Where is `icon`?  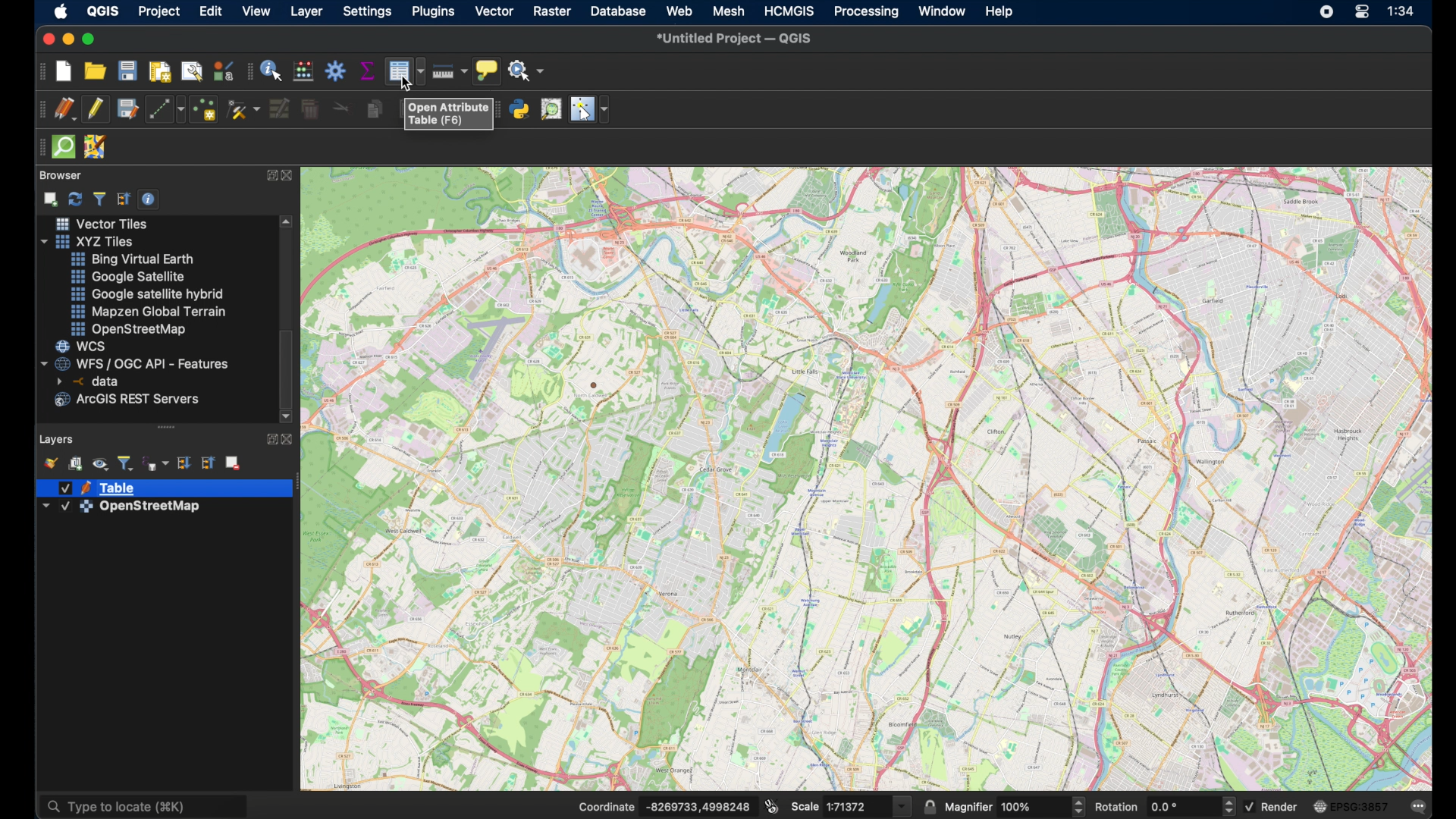 icon is located at coordinates (1319, 806).